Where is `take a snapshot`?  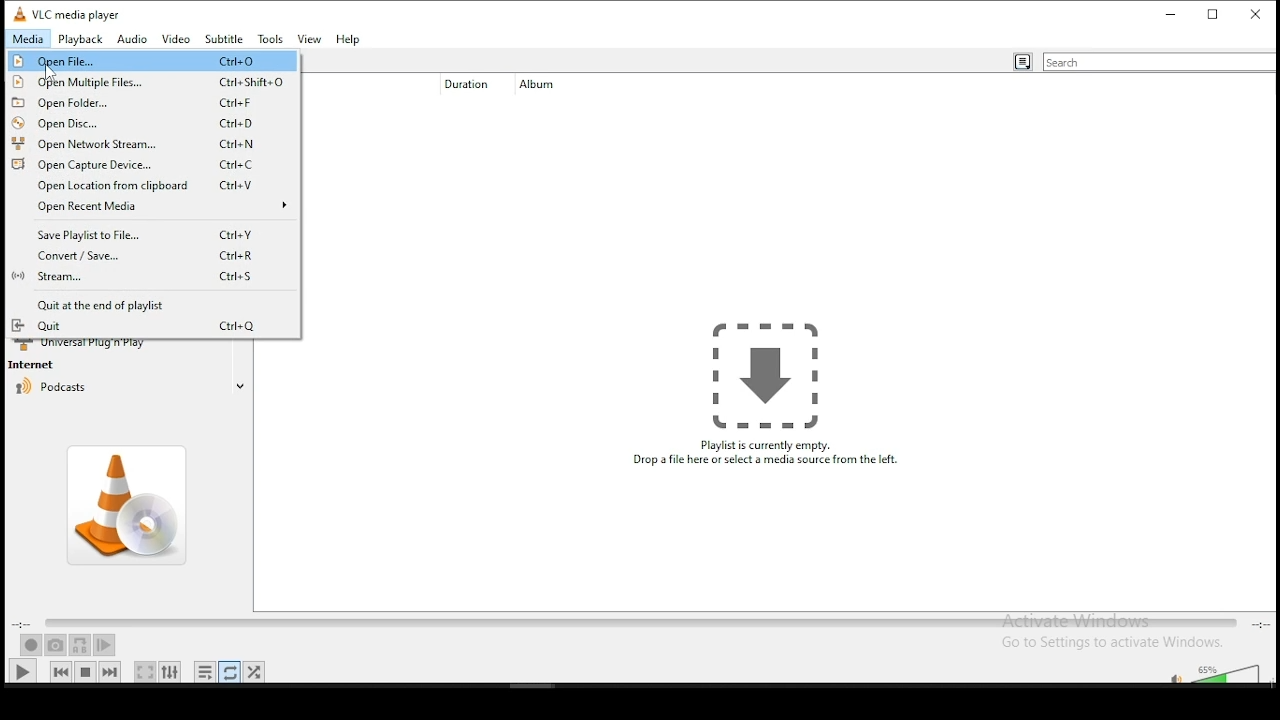
take a snapshot is located at coordinates (56, 646).